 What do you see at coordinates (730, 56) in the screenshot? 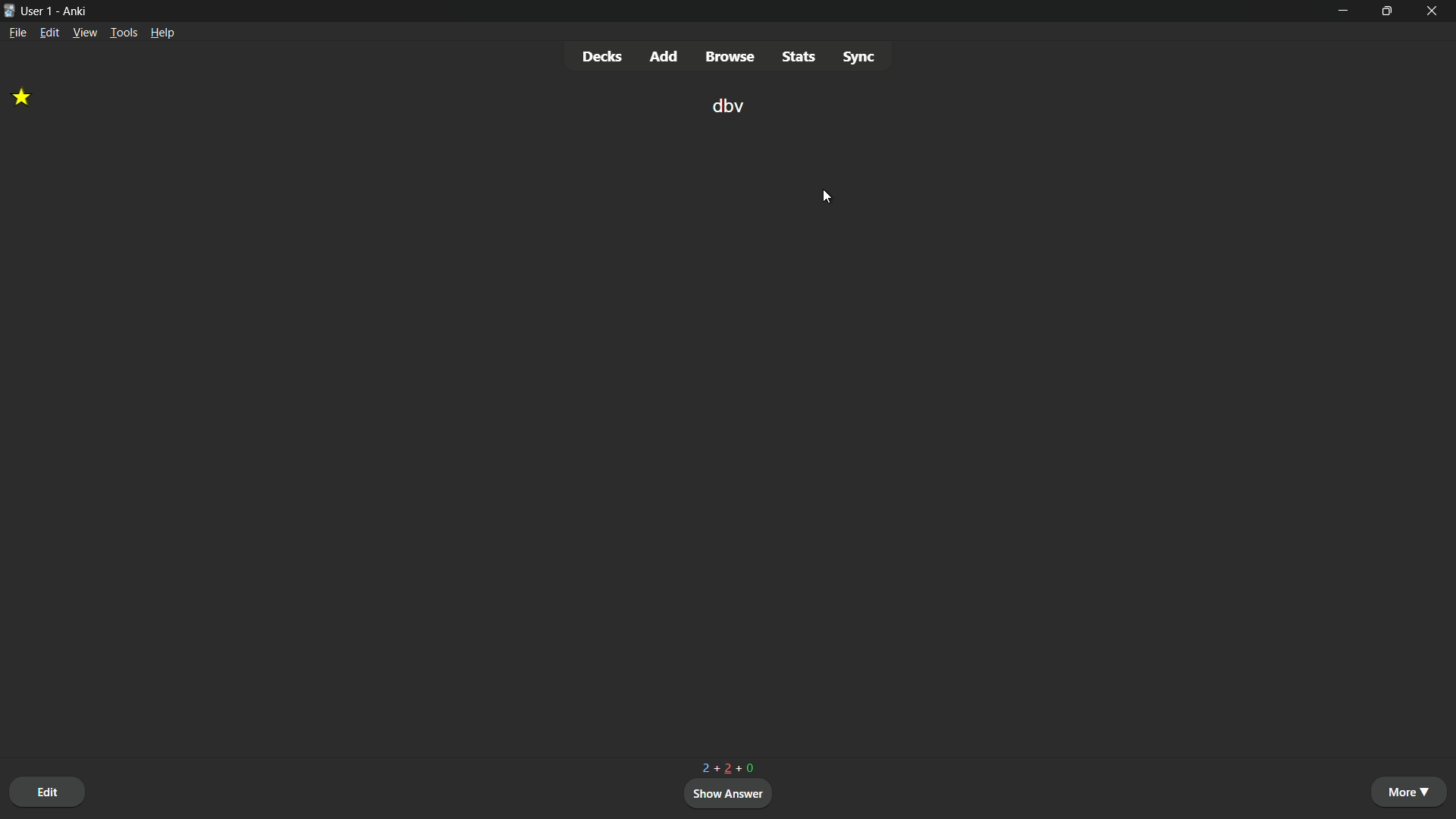
I see `browse` at bounding box center [730, 56].